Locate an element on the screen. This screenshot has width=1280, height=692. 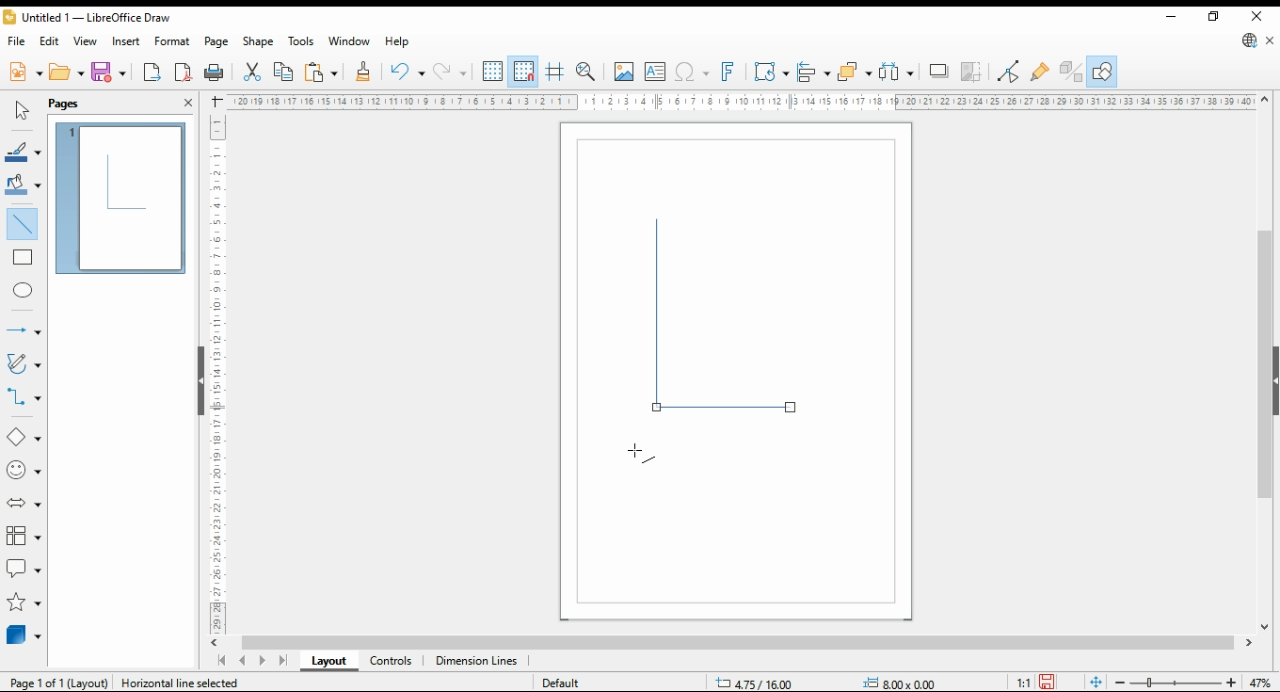
fill color is located at coordinates (22, 184).